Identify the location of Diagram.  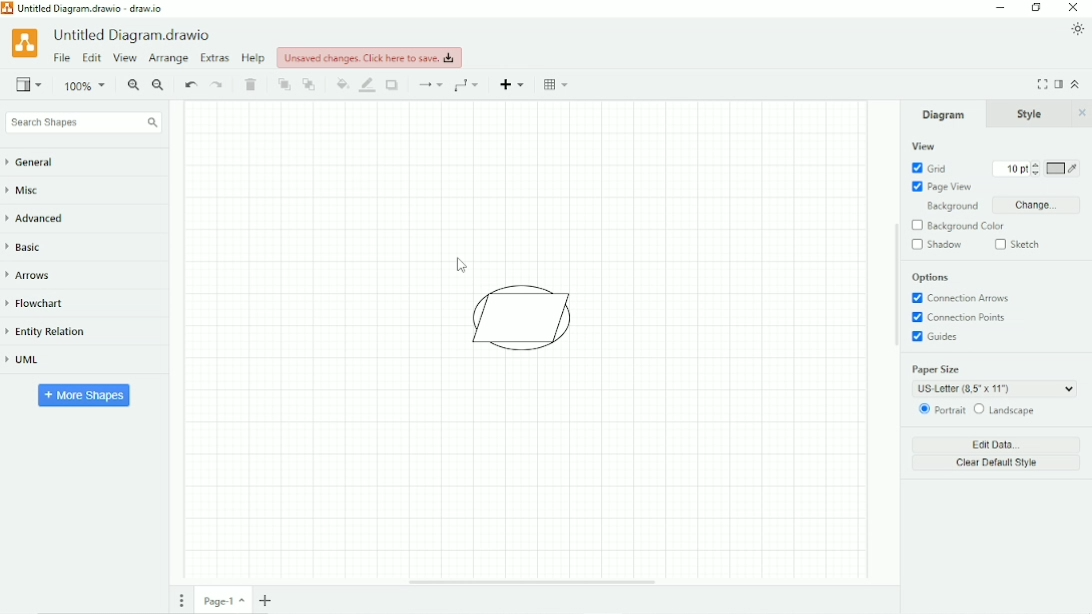
(944, 114).